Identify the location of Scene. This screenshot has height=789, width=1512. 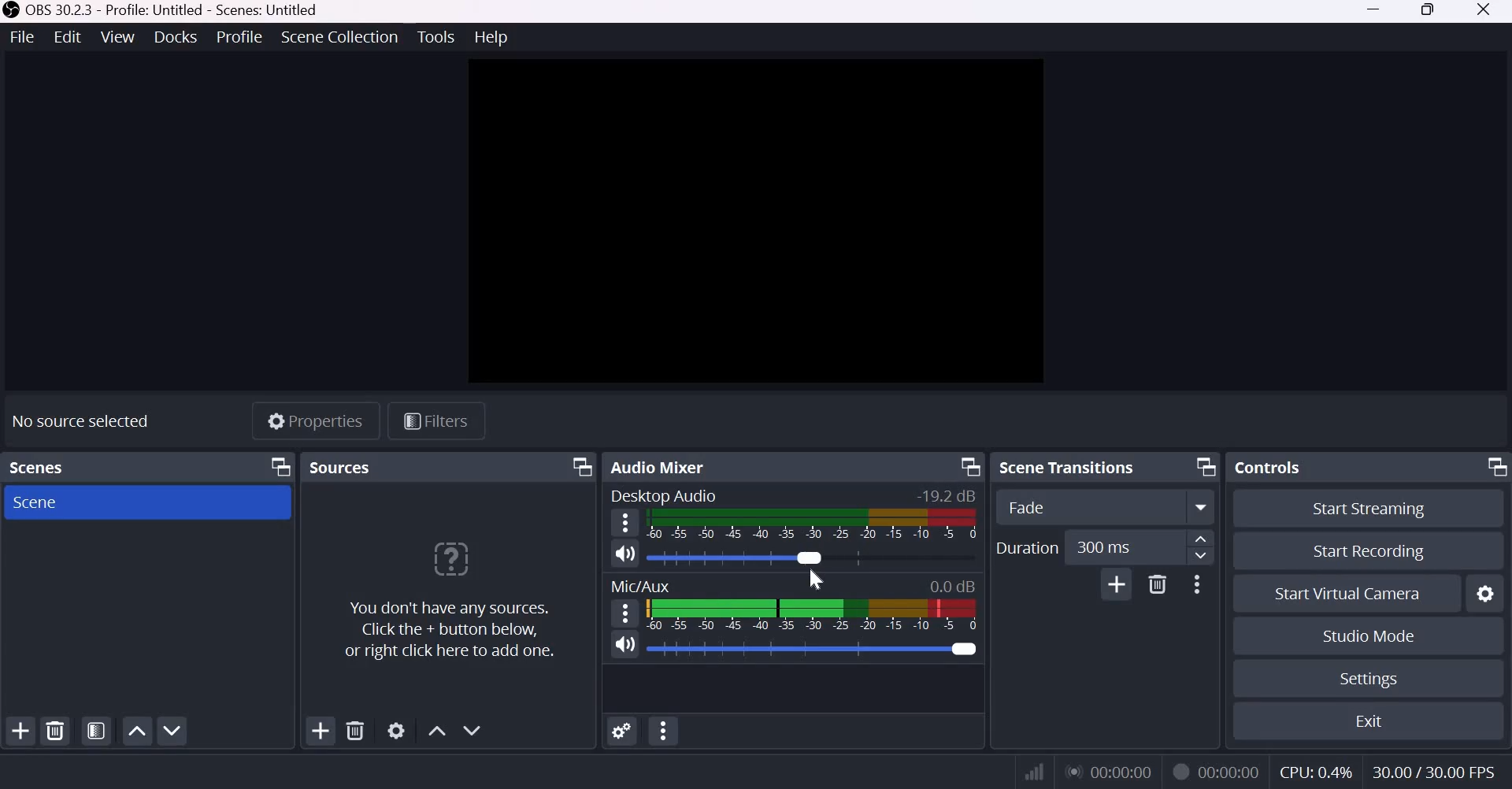
(56, 502).